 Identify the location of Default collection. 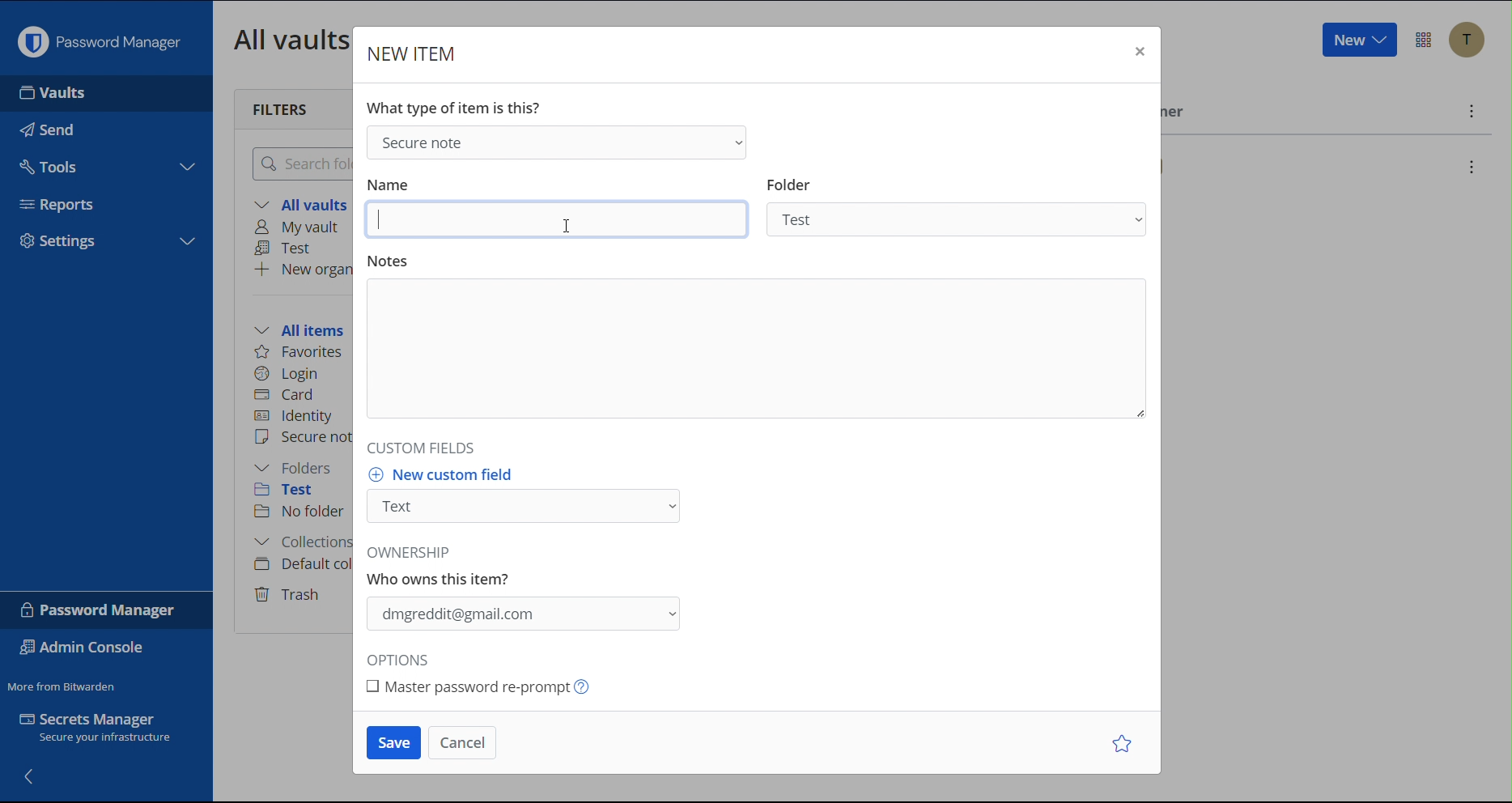
(300, 564).